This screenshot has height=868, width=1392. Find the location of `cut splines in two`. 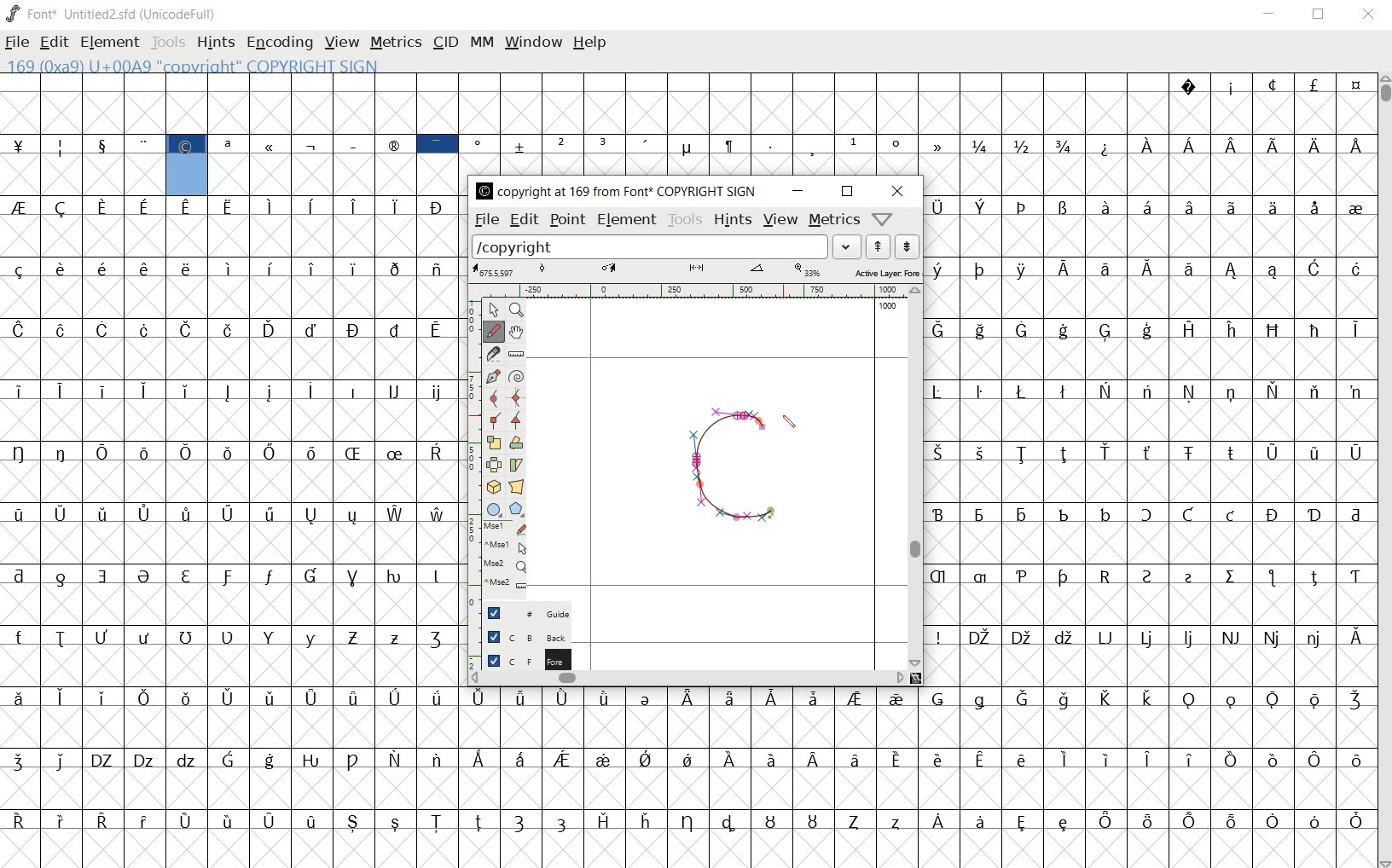

cut splines in two is located at coordinates (492, 353).